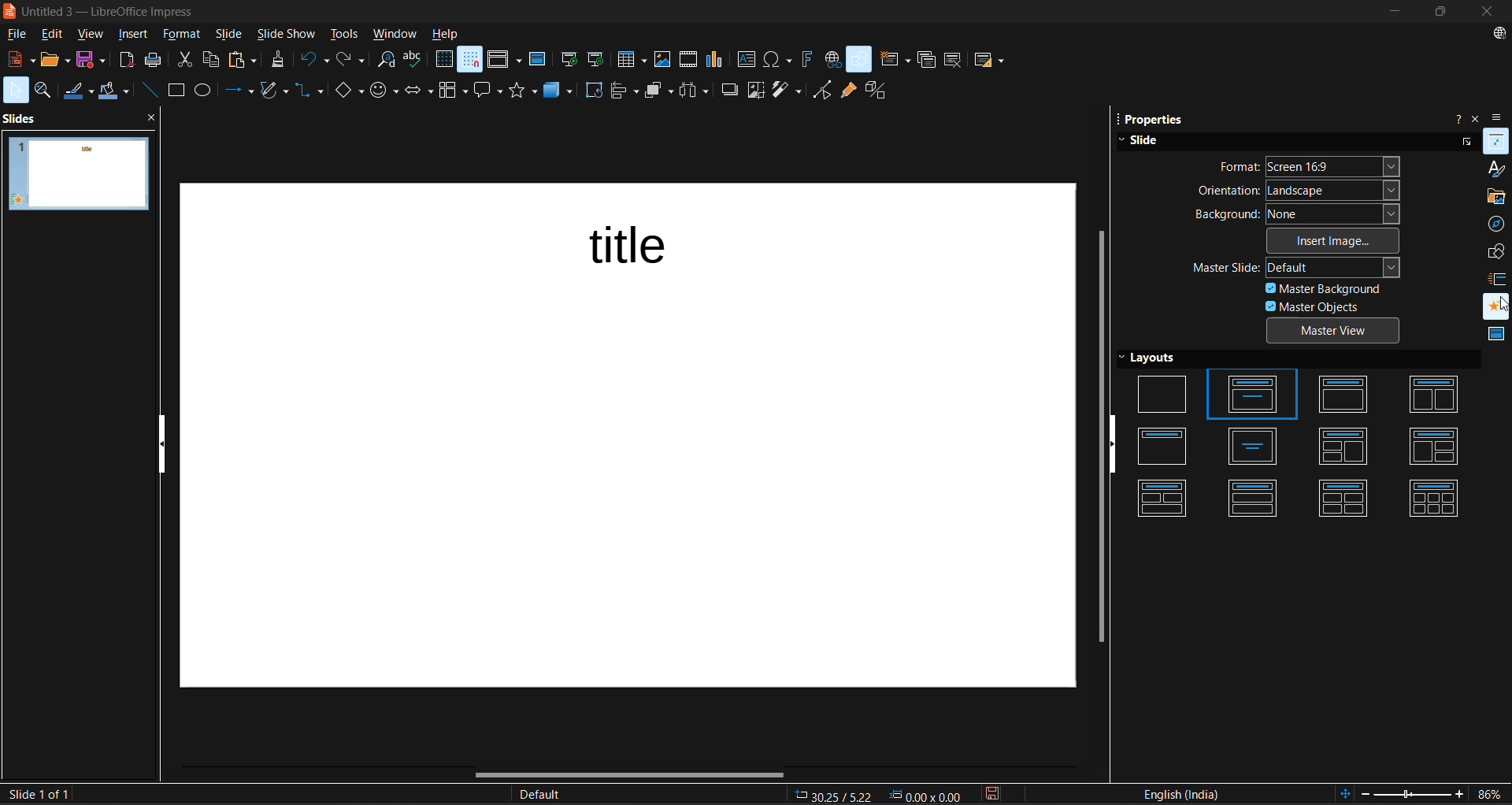 This screenshot has width=1512, height=805. Describe the element at coordinates (1392, 11) in the screenshot. I see `minimize` at that location.